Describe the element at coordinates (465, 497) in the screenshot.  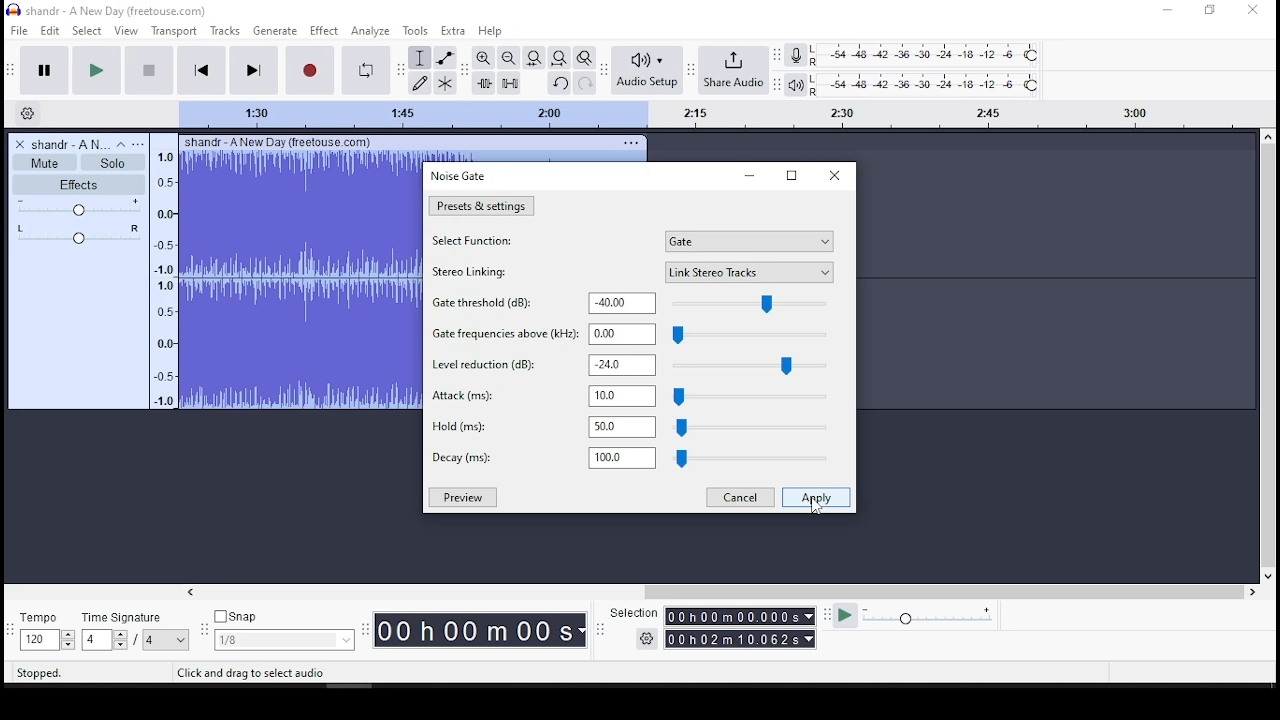
I see `preview` at that location.